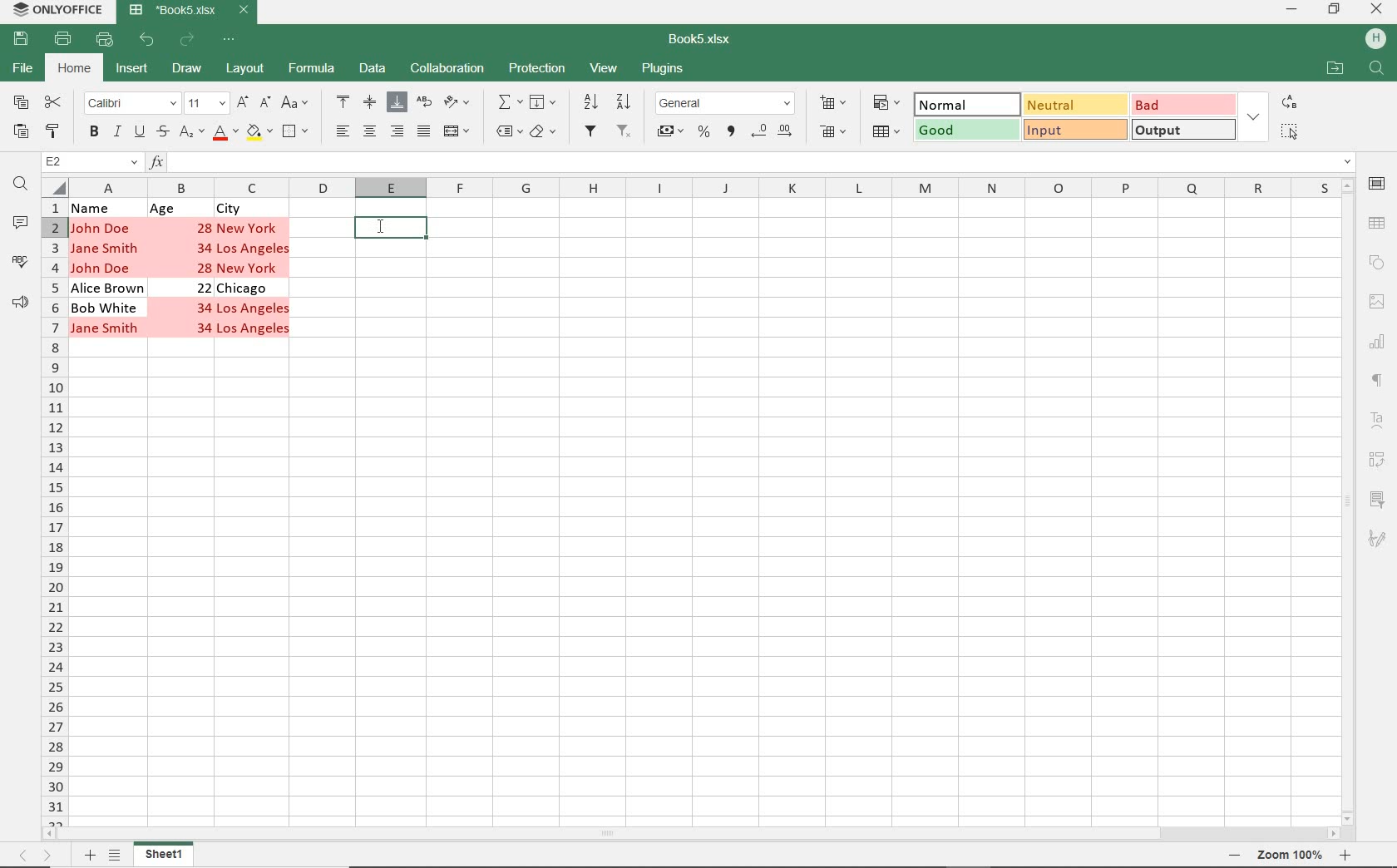 This screenshot has height=868, width=1397. Describe the element at coordinates (259, 134) in the screenshot. I see `FILL COLOR` at that location.